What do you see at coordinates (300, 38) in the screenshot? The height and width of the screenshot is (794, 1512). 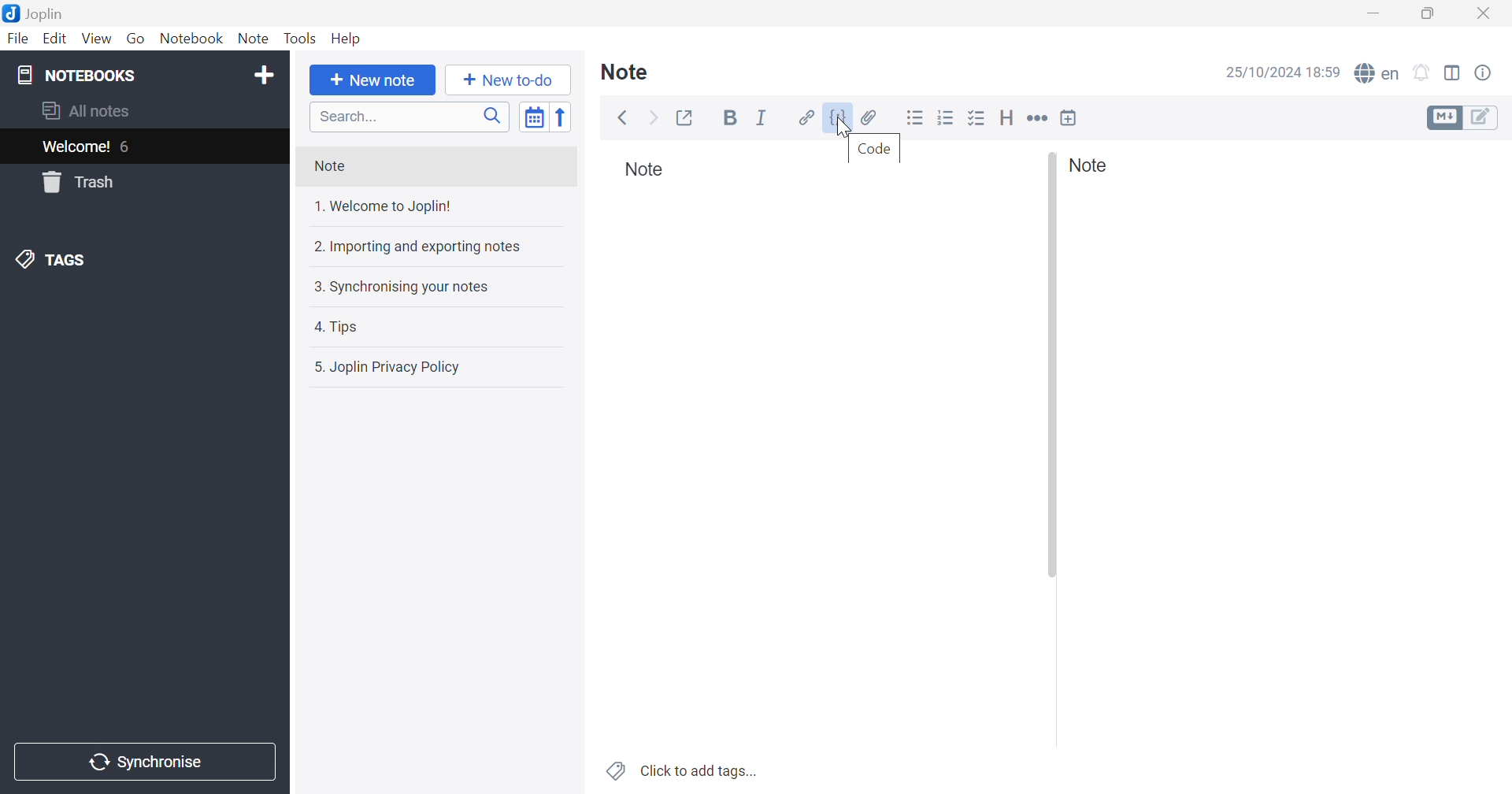 I see `Tools` at bounding box center [300, 38].